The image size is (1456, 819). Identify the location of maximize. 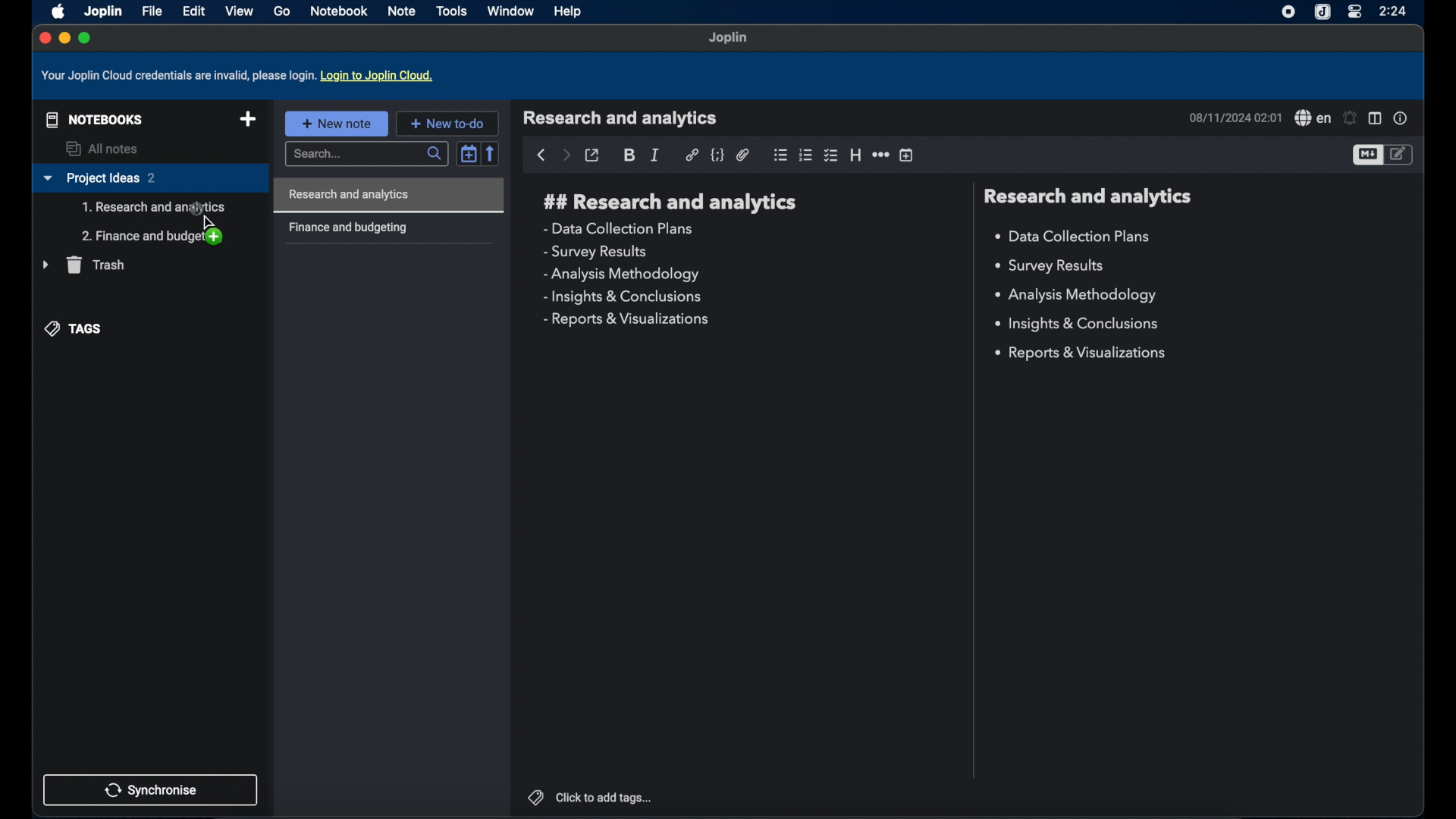
(86, 38).